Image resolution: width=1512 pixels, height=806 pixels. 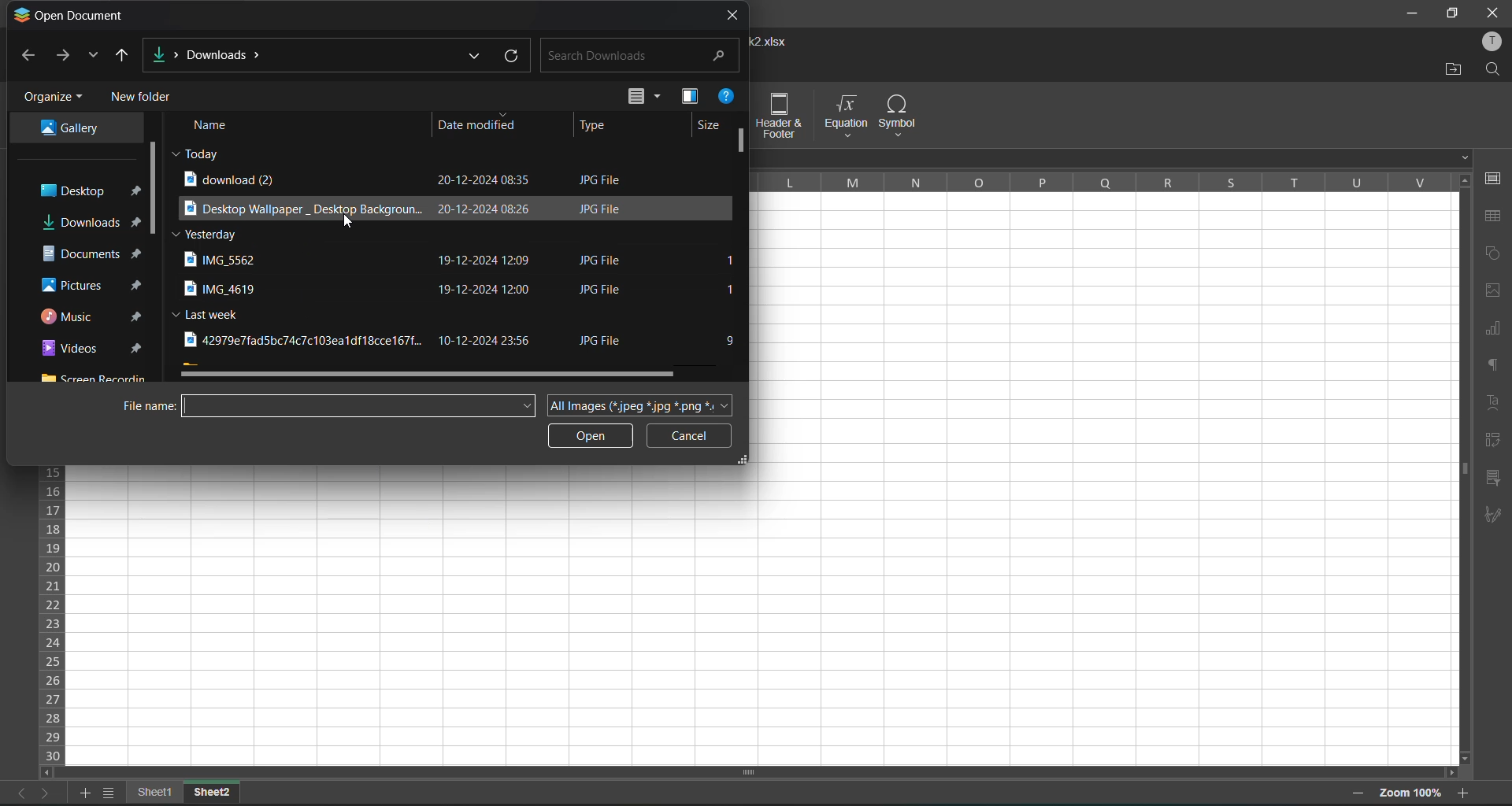 What do you see at coordinates (724, 98) in the screenshot?
I see `help` at bounding box center [724, 98].